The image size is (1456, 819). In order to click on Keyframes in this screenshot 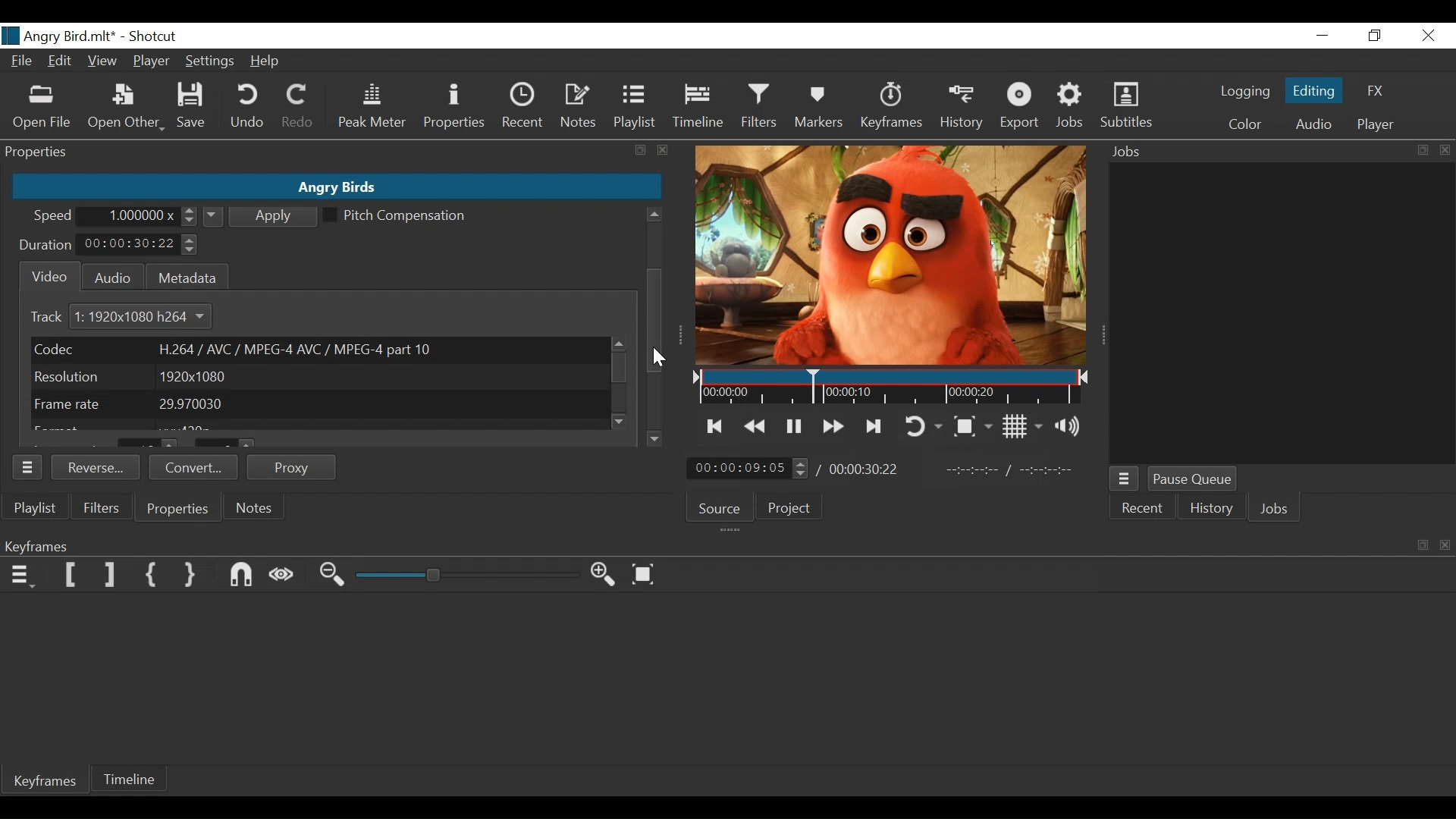, I will do `click(47, 783)`.